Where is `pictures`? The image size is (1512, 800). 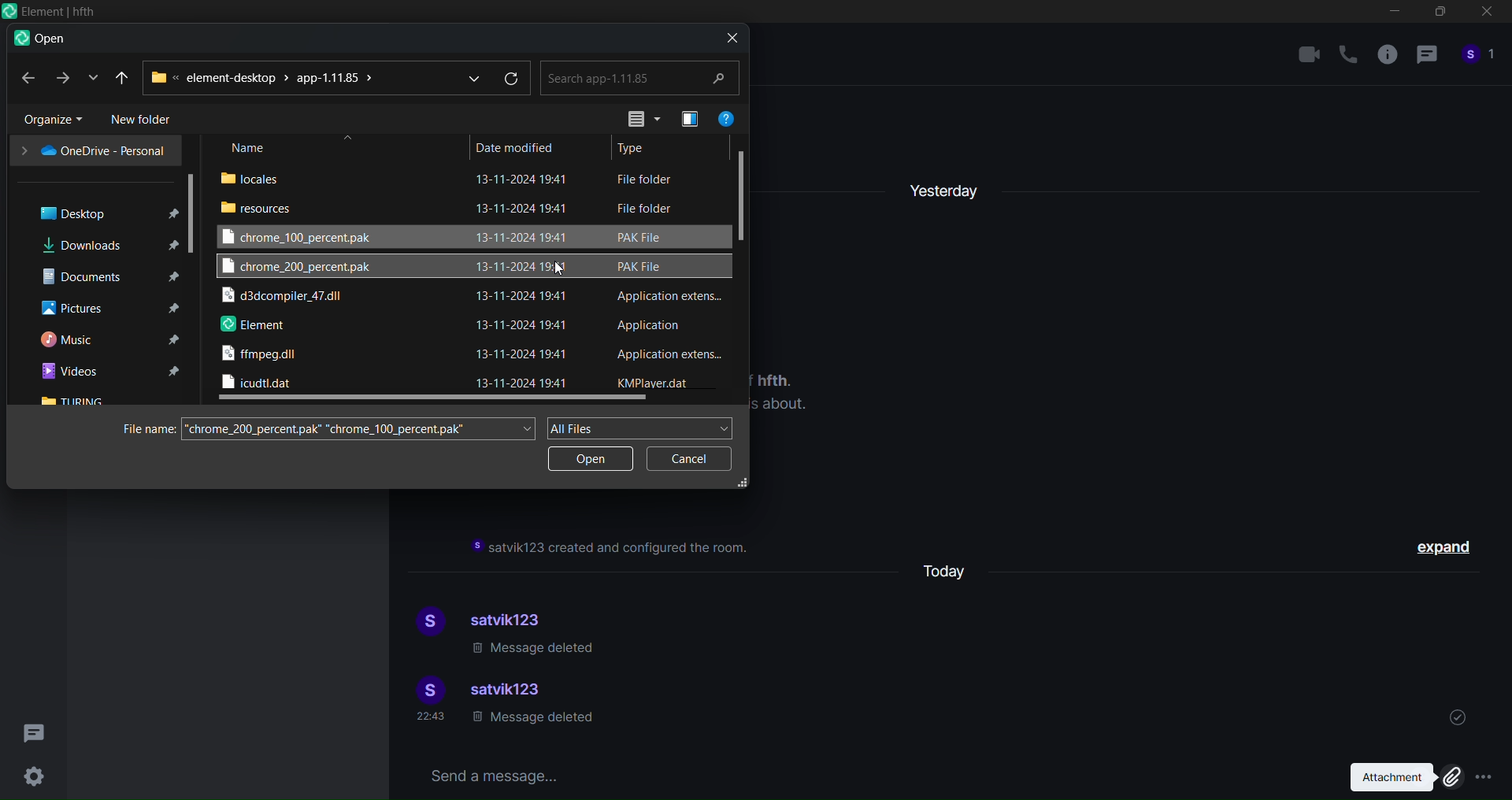 pictures is located at coordinates (106, 309).